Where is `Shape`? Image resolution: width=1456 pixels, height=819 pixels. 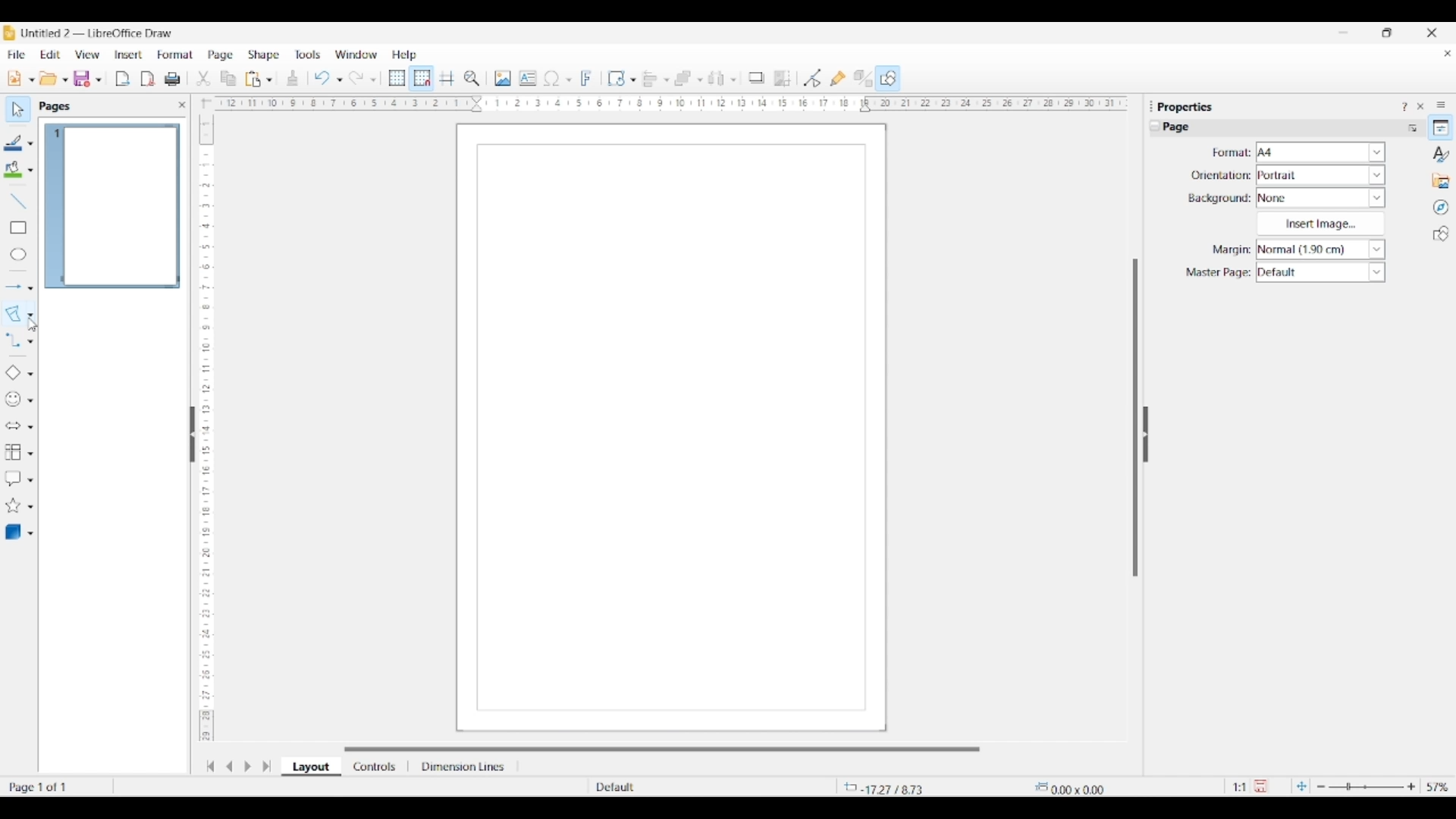 Shape is located at coordinates (265, 55).